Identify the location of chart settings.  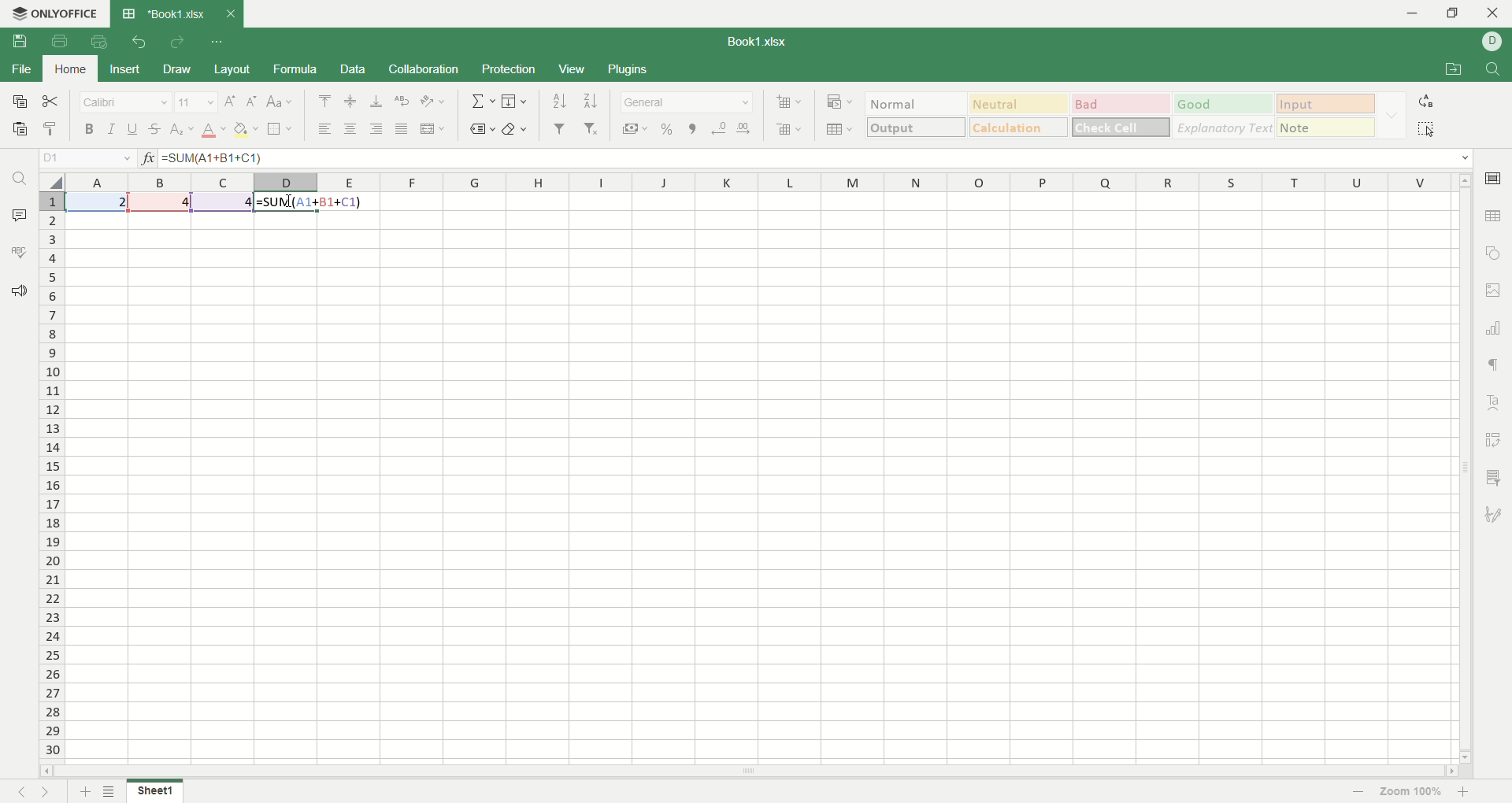
(1494, 328).